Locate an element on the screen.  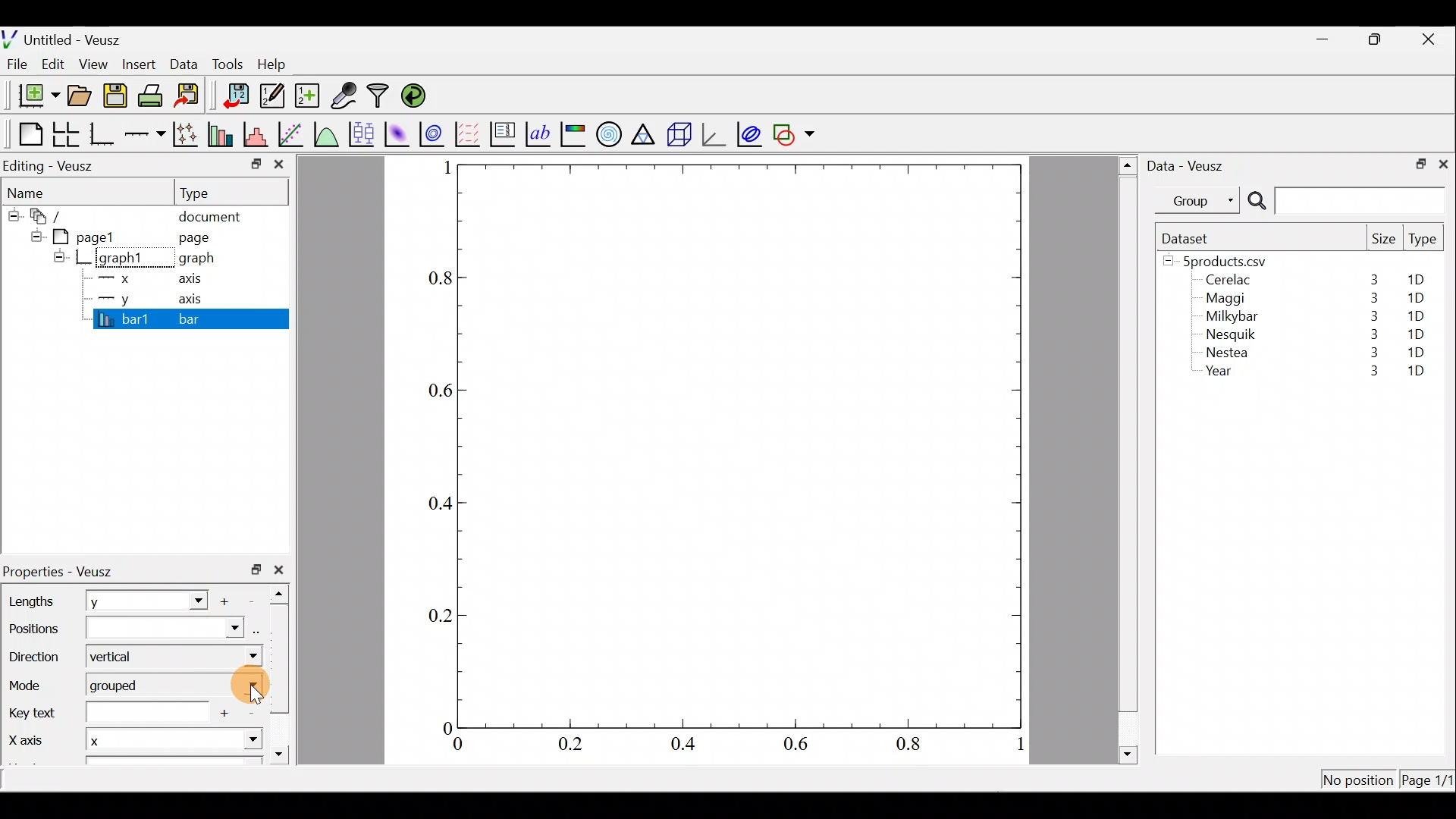
Tools is located at coordinates (227, 63).